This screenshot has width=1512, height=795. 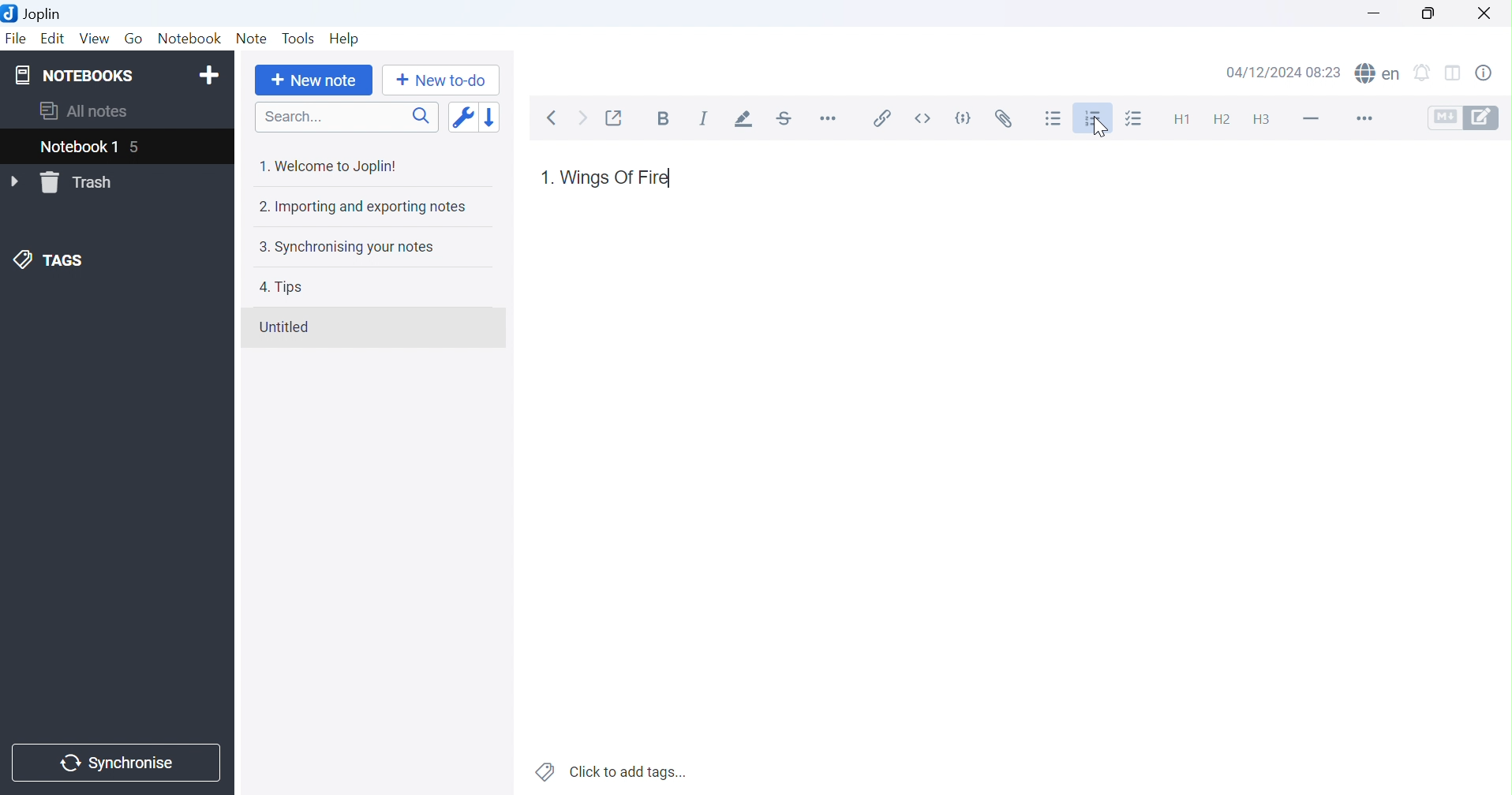 I want to click on Horizontal Line, so click(x=1310, y=116).